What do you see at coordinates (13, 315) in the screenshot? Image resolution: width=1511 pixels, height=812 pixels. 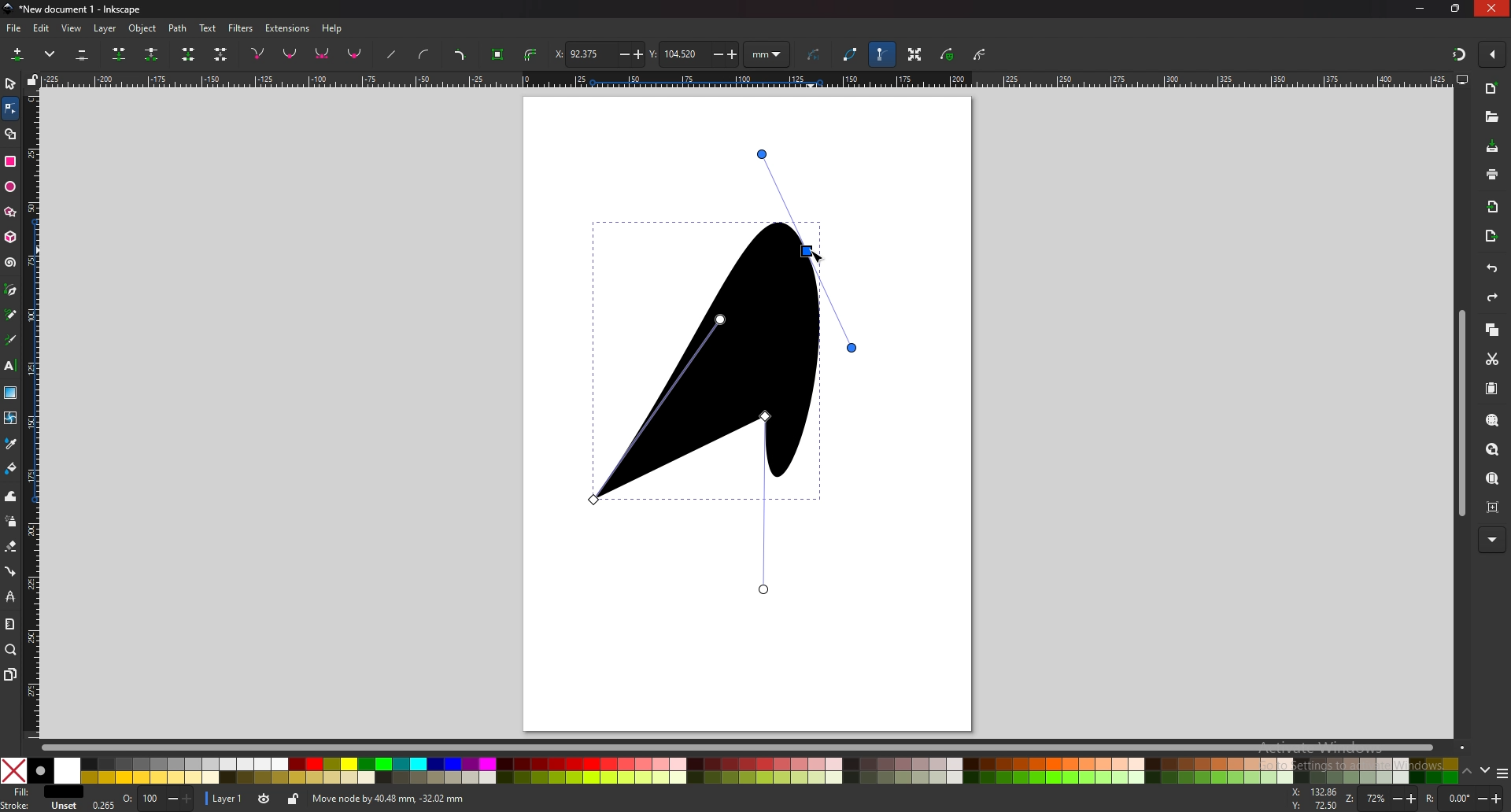 I see `pencil` at bounding box center [13, 315].